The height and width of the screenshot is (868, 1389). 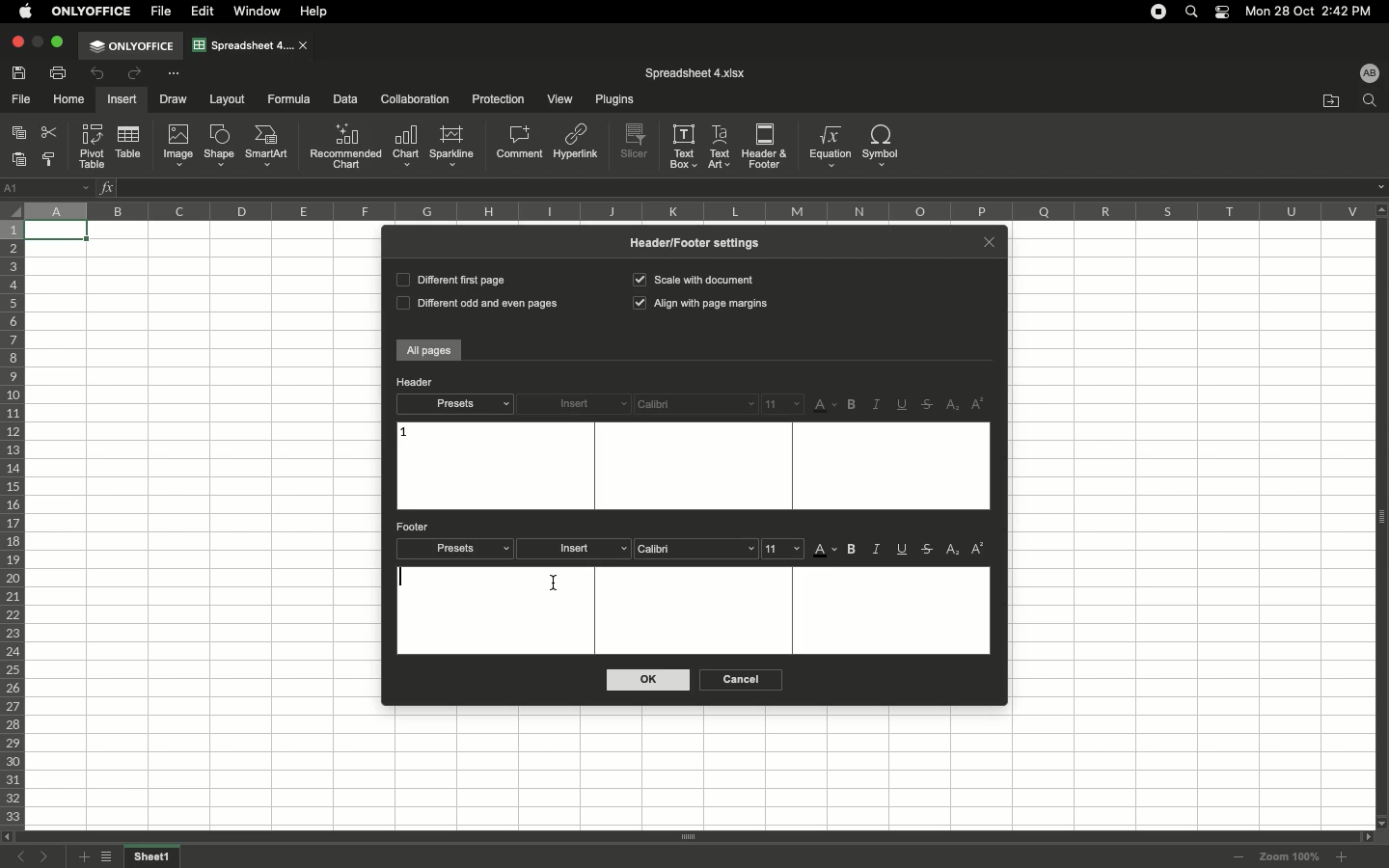 I want to click on Bold, so click(x=854, y=405).